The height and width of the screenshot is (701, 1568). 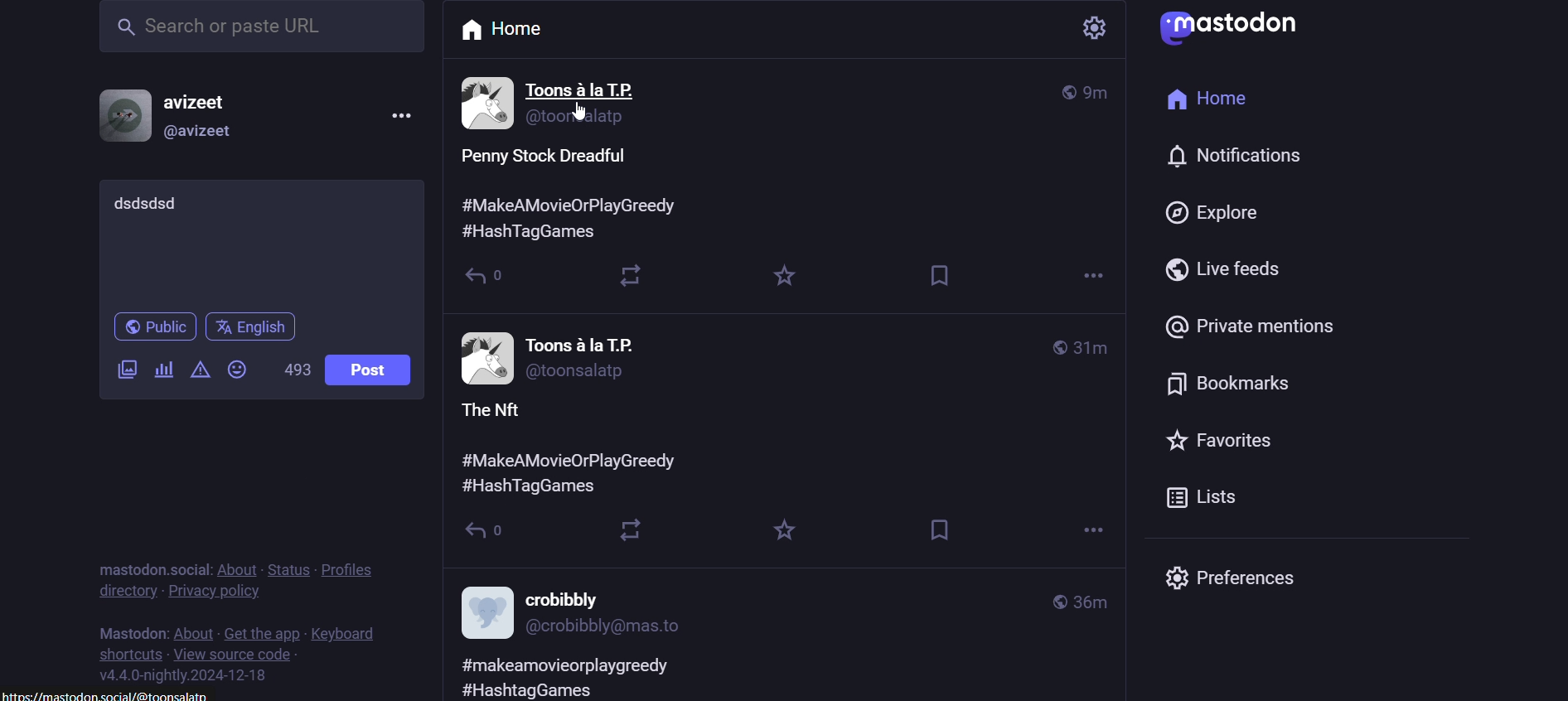 I want to click on word limit, so click(x=295, y=375).